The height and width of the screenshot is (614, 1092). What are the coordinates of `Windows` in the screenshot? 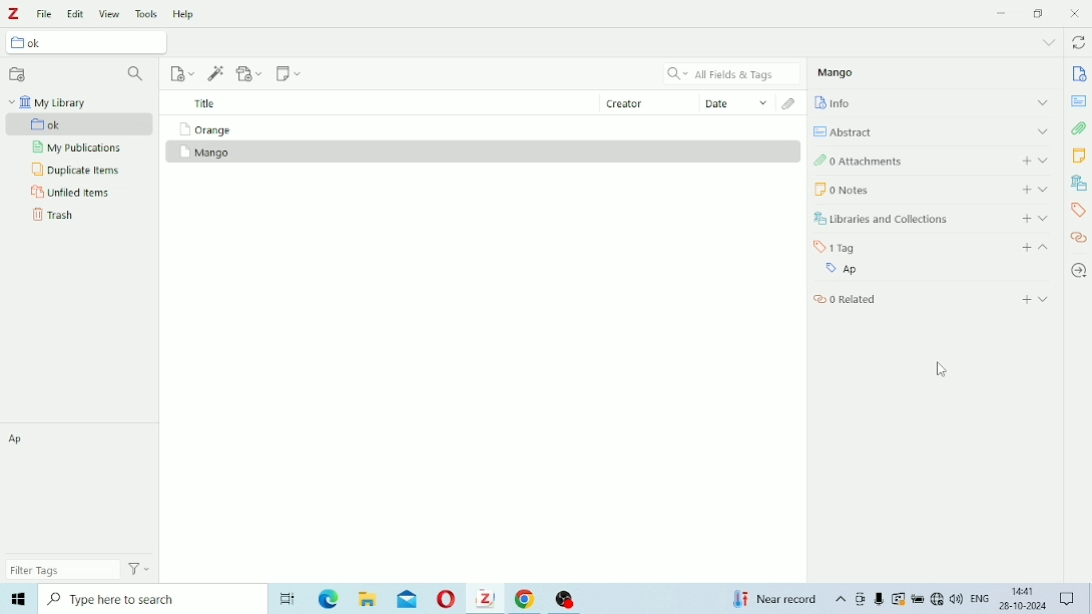 It's located at (18, 597).